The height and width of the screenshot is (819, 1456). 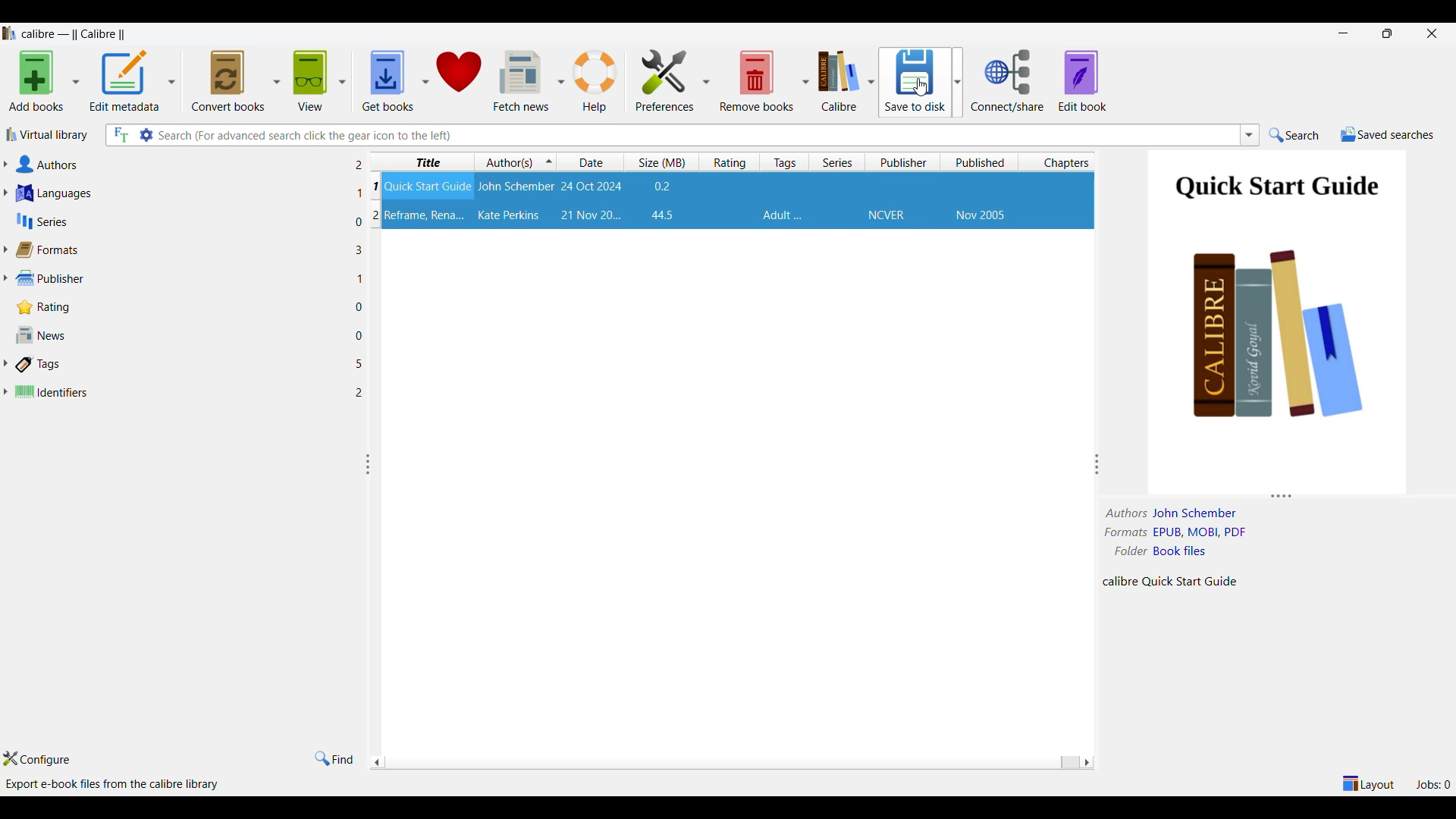 I want to click on Authors column, current sorting, so click(x=518, y=162).